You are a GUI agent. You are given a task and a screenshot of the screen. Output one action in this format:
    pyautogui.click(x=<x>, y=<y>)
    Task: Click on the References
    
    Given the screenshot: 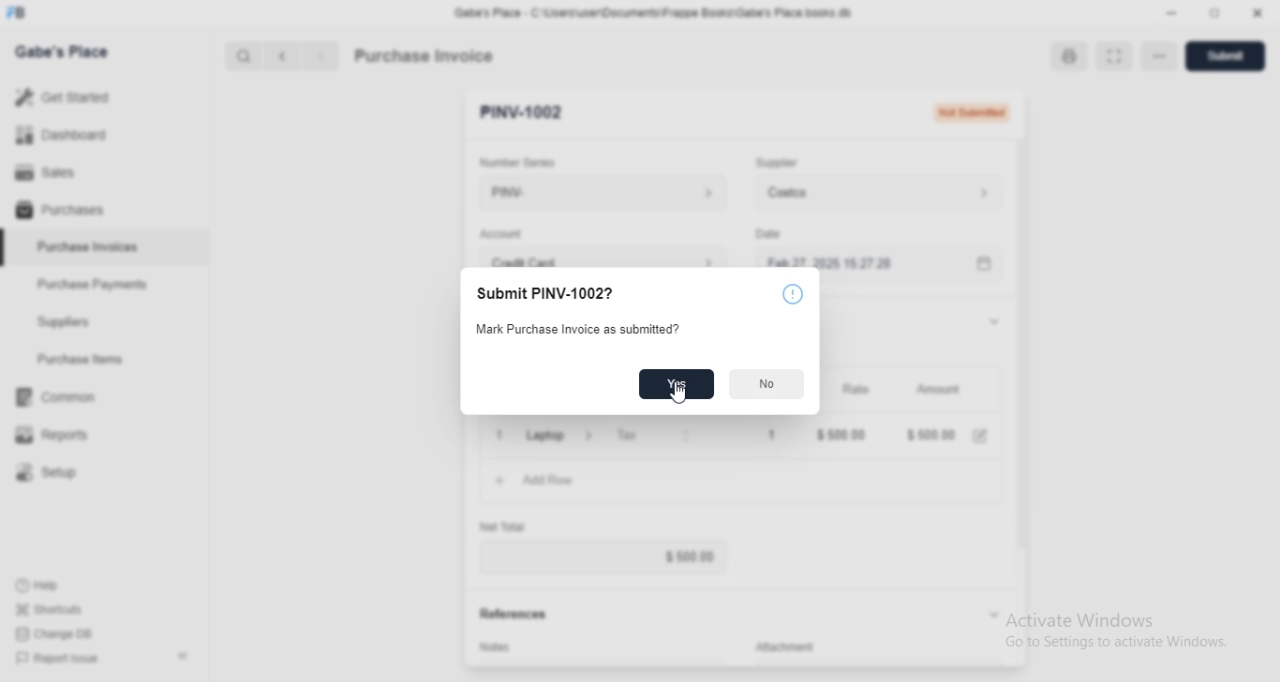 What is the action you would take?
    pyautogui.click(x=513, y=614)
    